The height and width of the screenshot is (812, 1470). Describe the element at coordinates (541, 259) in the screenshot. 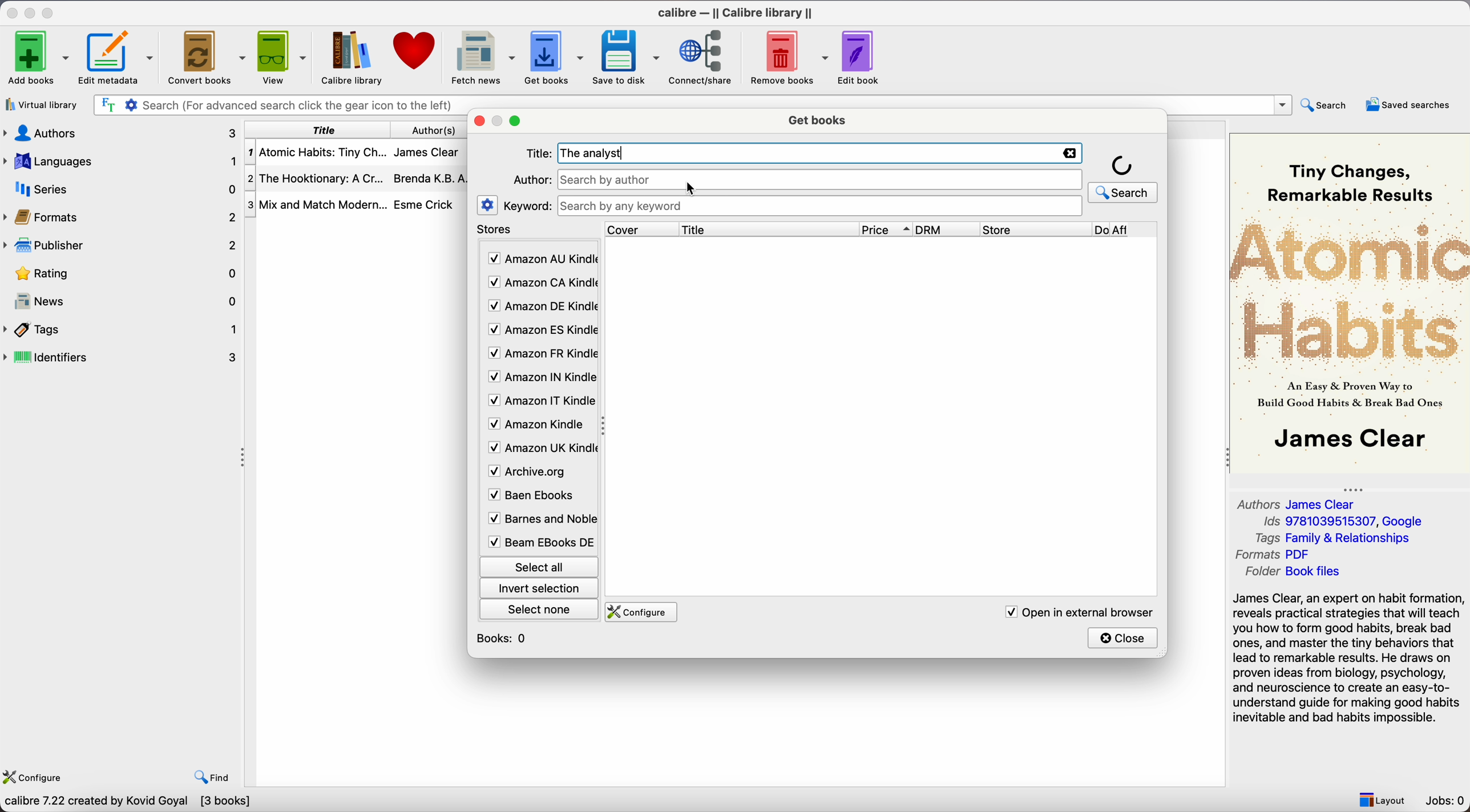

I see `Amazon AU Kindle` at that location.